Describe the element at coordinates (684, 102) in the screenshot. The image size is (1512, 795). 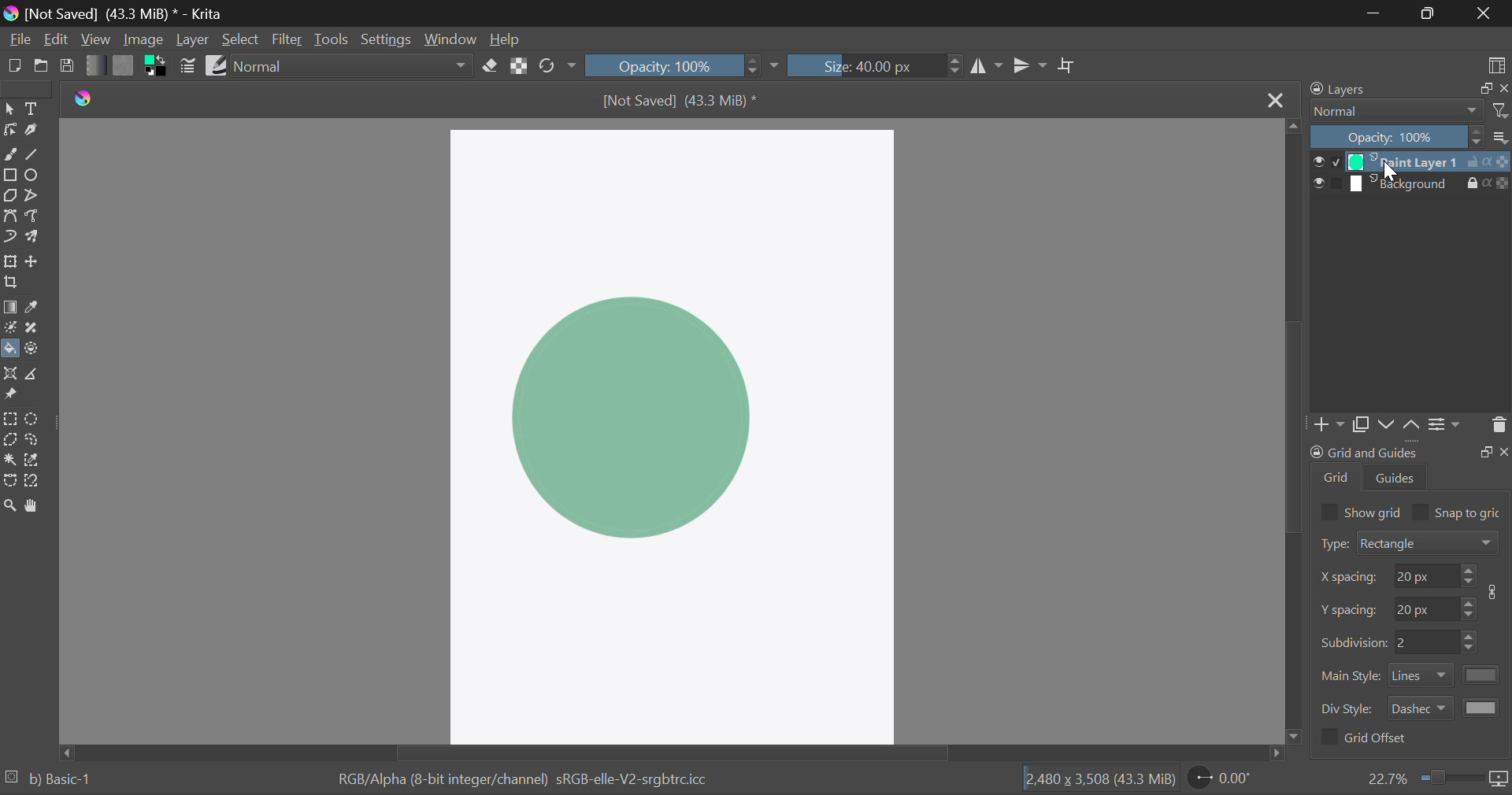
I see `File Name & Size` at that location.